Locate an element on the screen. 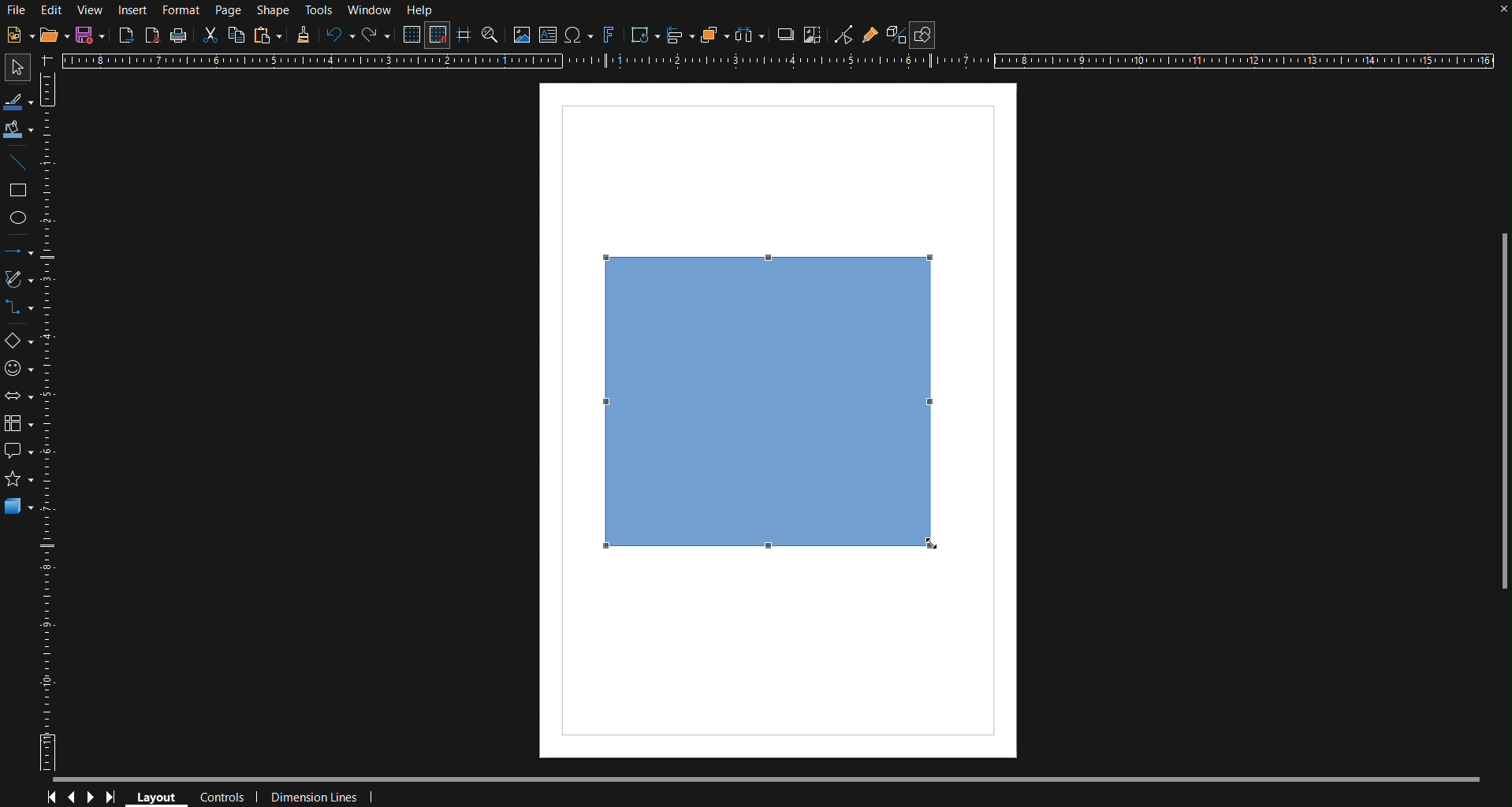 This screenshot has height=807, width=1512. Line Color is located at coordinates (19, 99).